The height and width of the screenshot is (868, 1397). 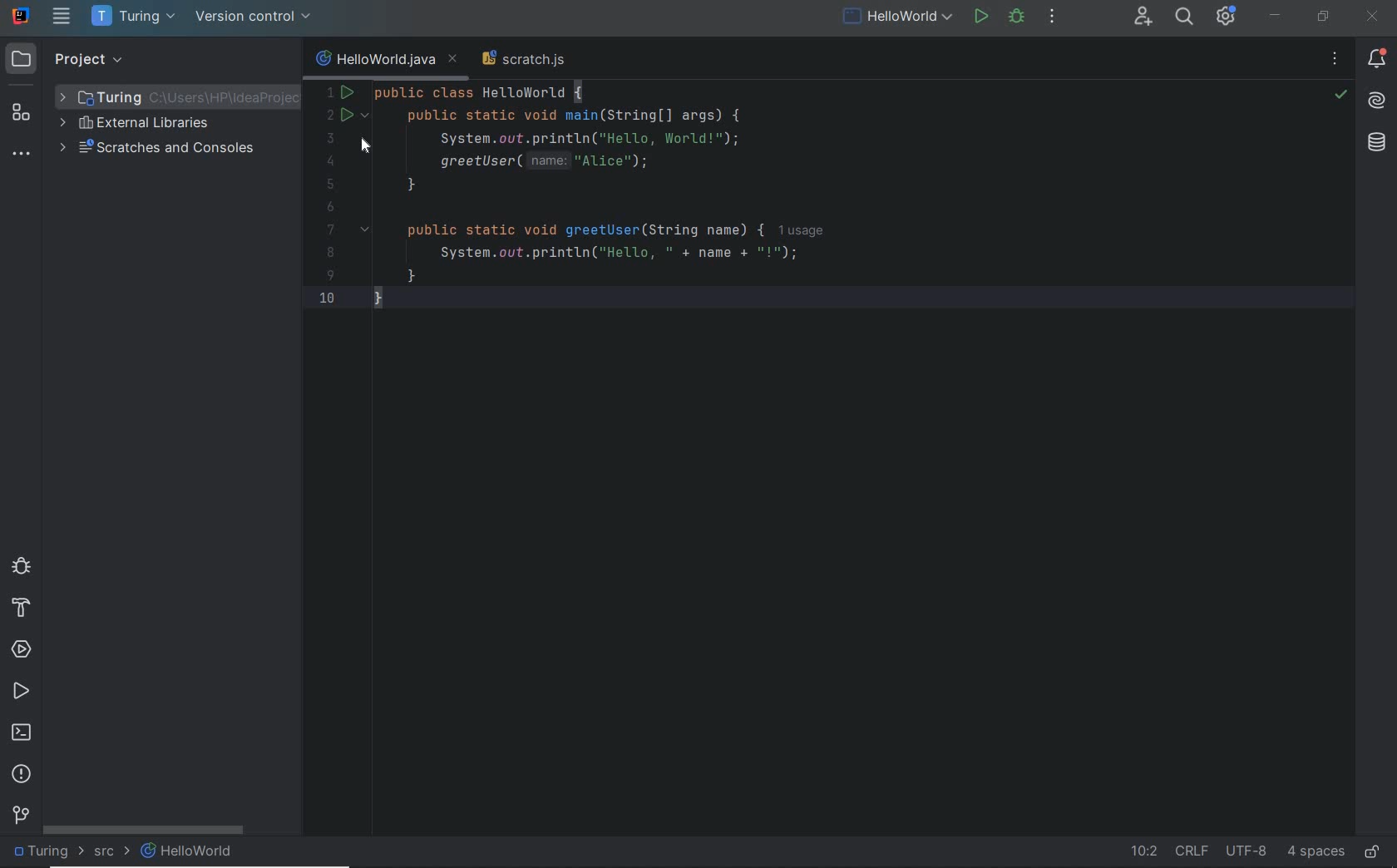 I want to click on project, so click(x=72, y=60).